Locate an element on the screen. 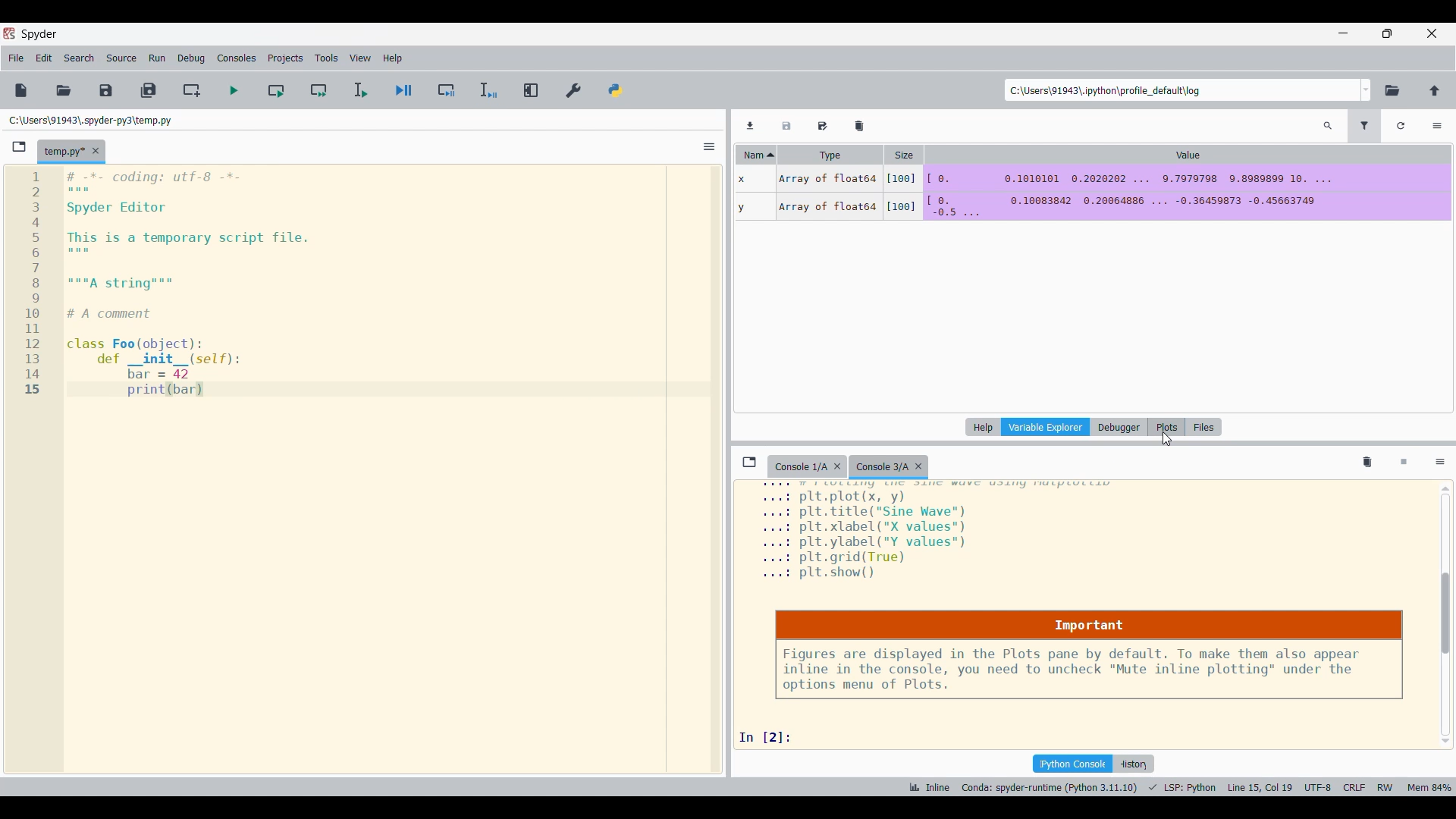  input is located at coordinates (771, 736).